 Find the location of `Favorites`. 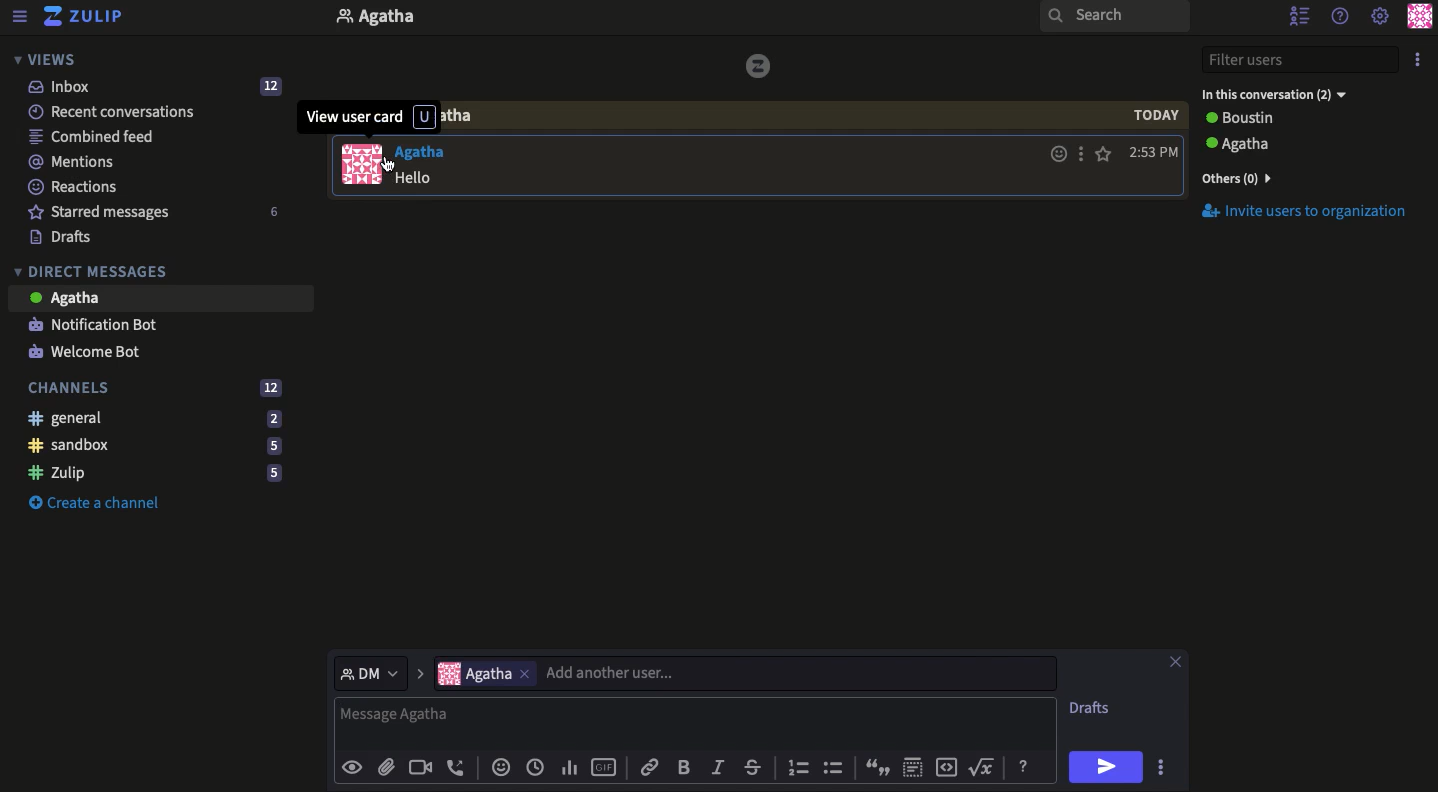

Favorites is located at coordinates (1103, 155).